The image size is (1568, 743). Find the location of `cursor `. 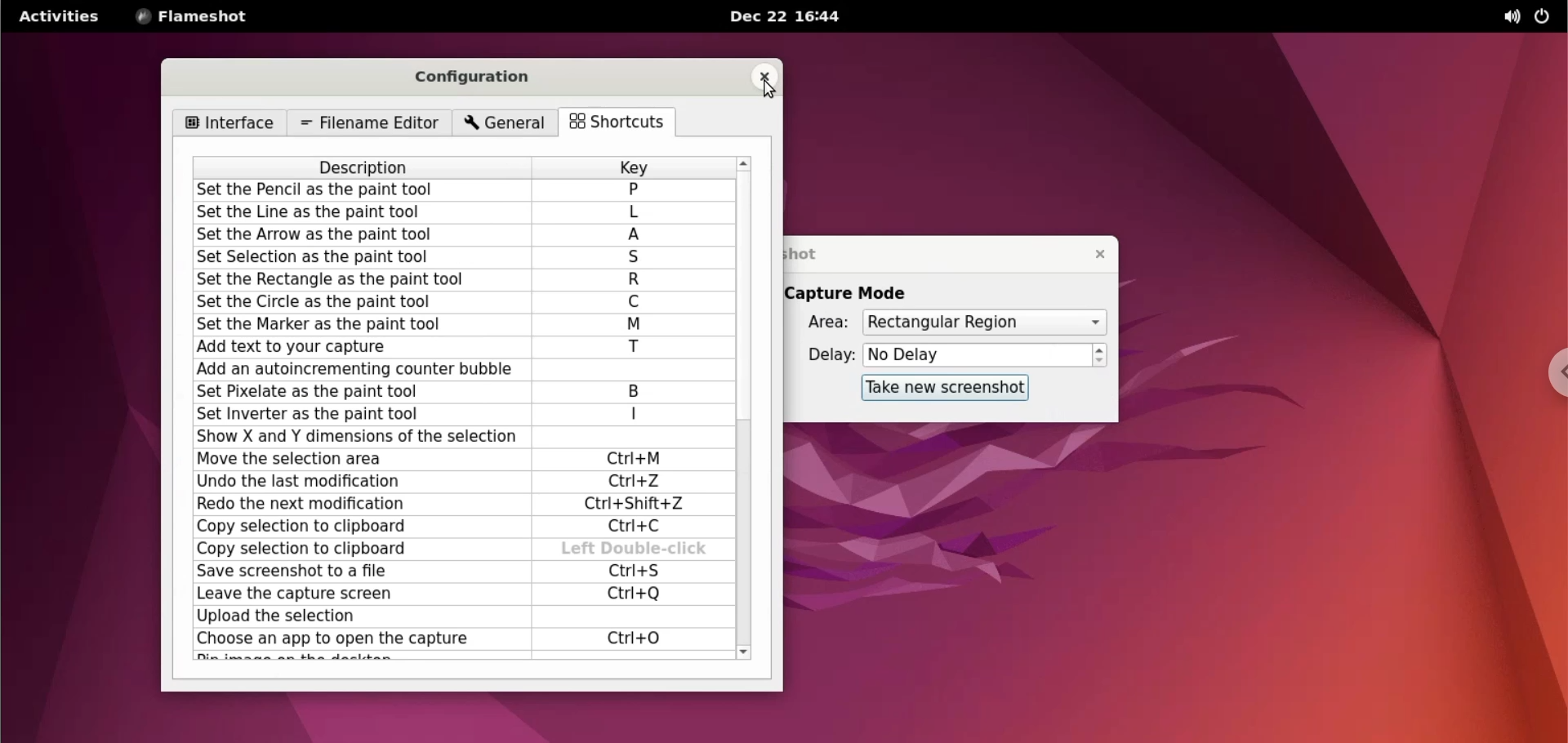

cursor  is located at coordinates (768, 91).